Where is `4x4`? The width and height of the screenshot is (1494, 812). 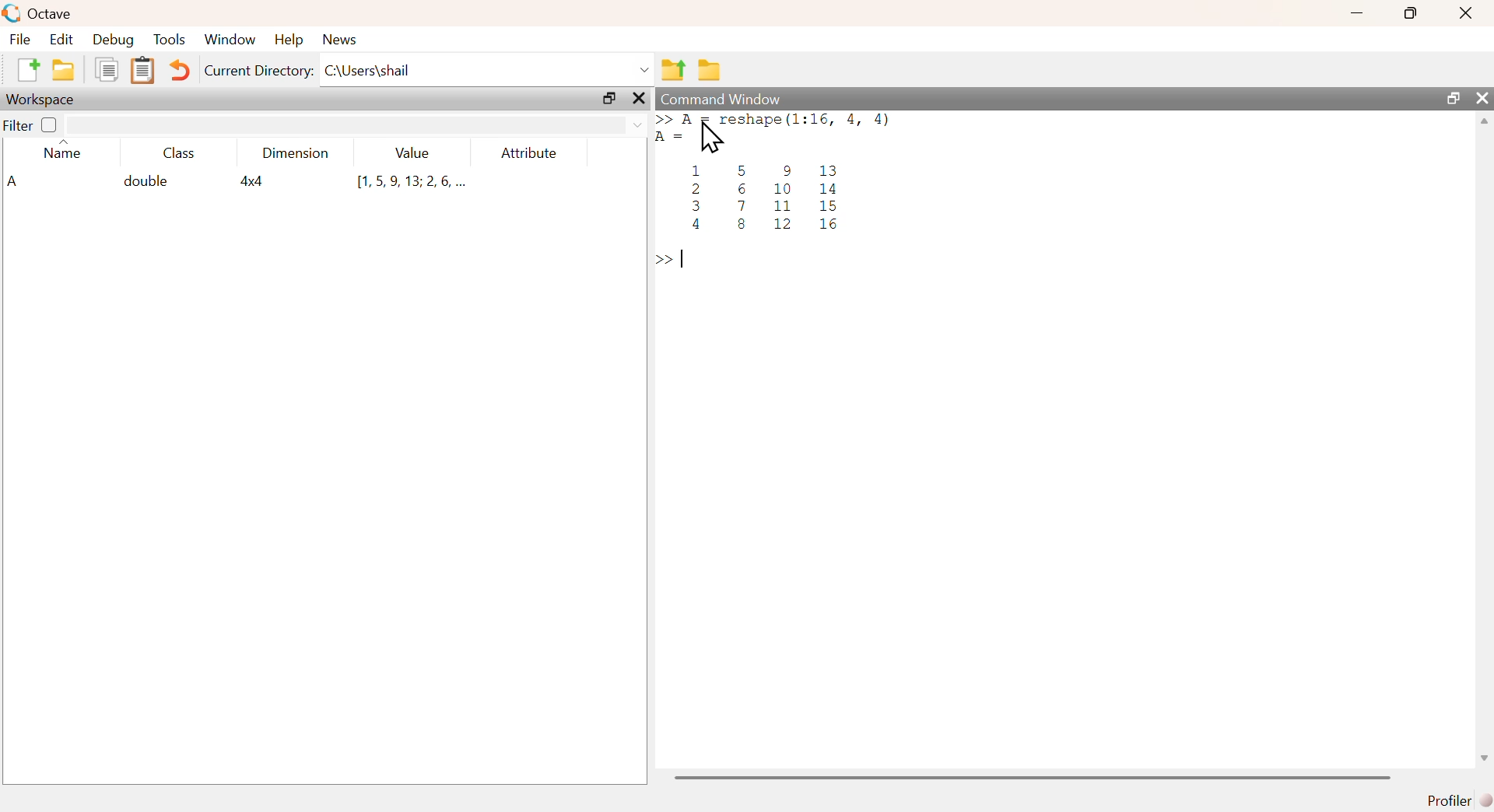
4x4 is located at coordinates (255, 181).